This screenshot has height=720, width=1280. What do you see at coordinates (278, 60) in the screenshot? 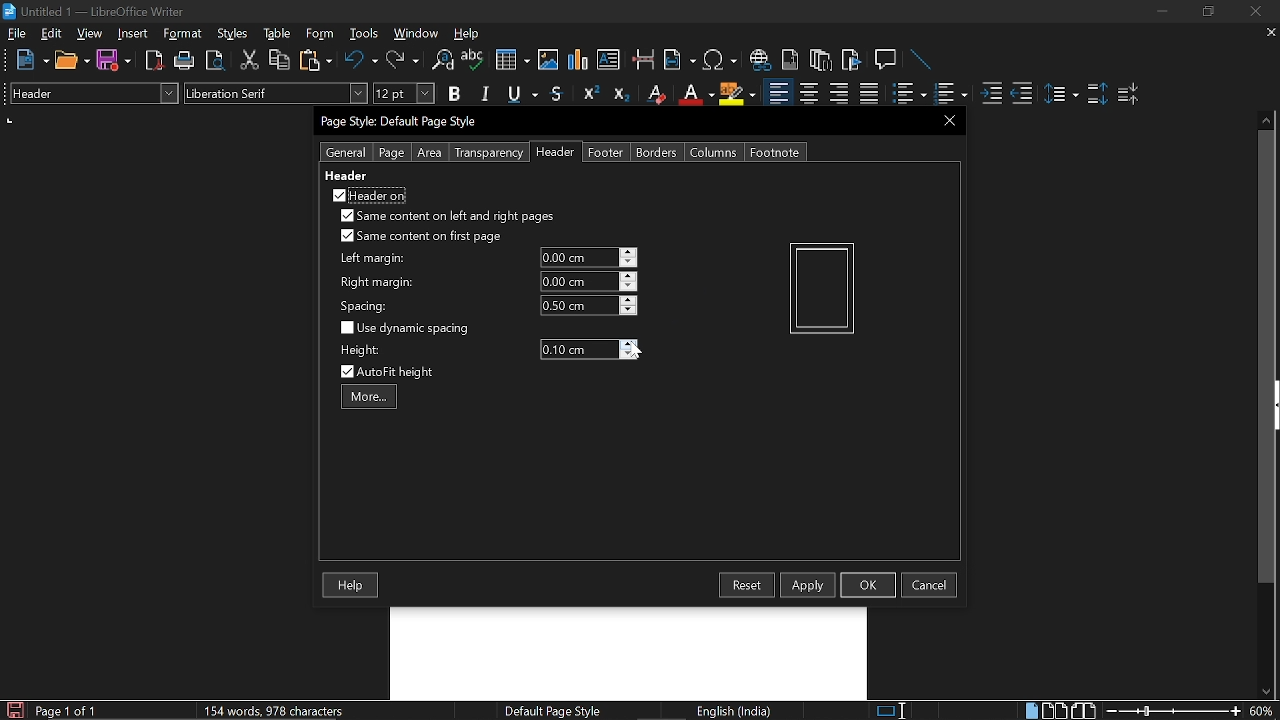
I see `Copy` at bounding box center [278, 60].